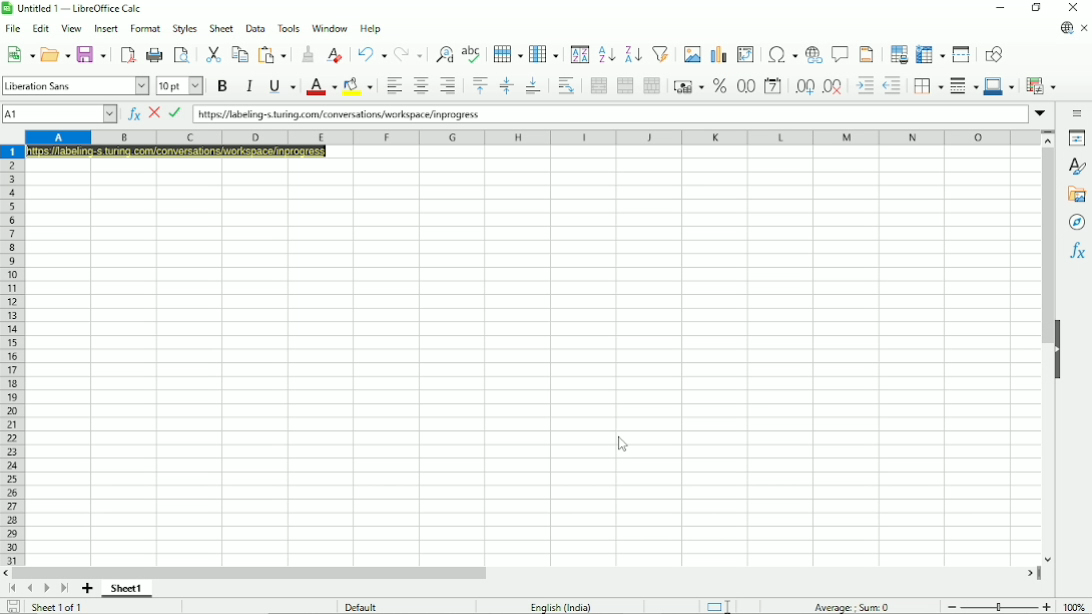 The height and width of the screenshot is (614, 1092). Describe the element at coordinates (105, 28) in the screenshot. I see `Insert` at that location.